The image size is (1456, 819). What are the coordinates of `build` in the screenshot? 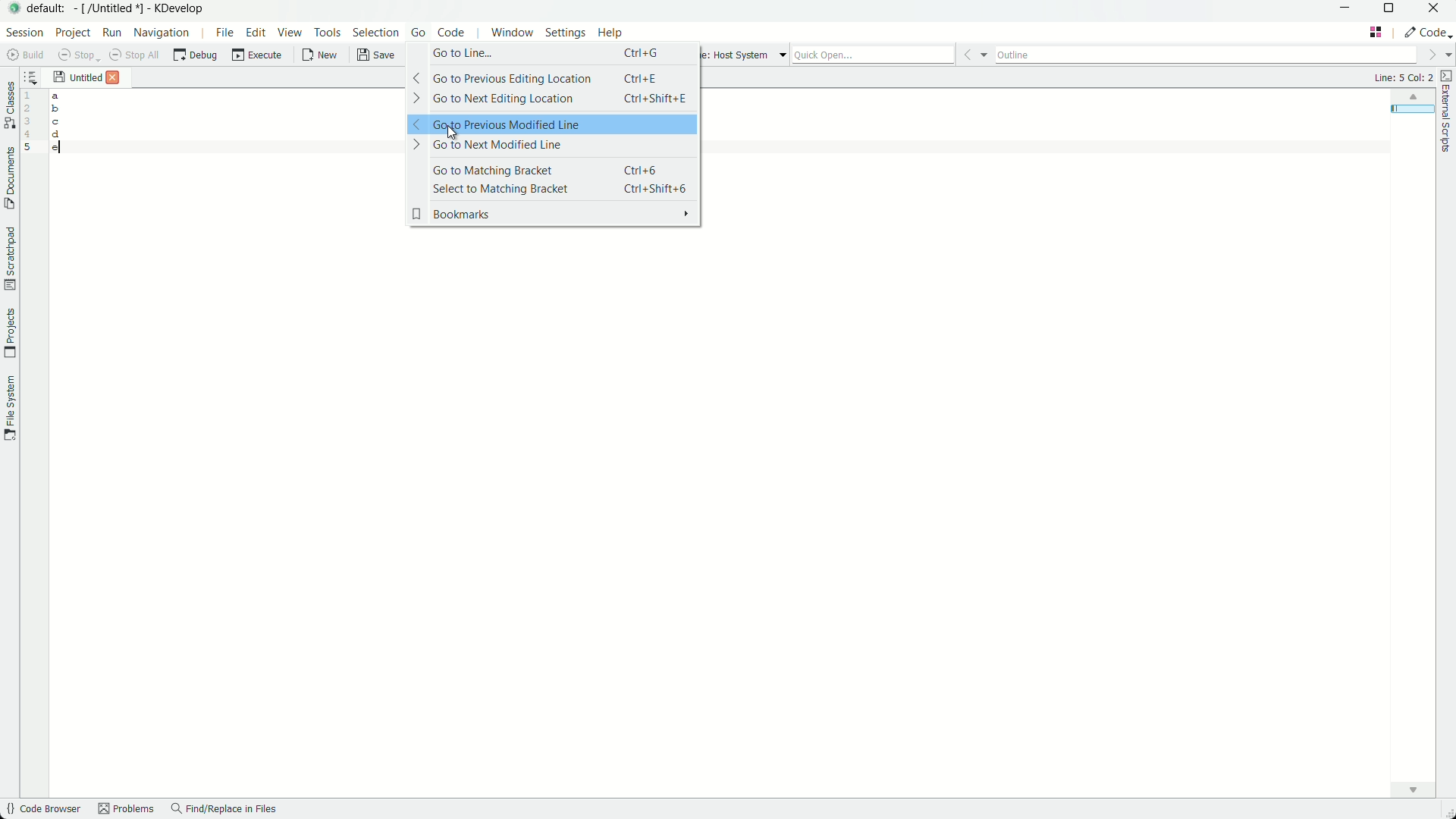 It's located at (22, 55).